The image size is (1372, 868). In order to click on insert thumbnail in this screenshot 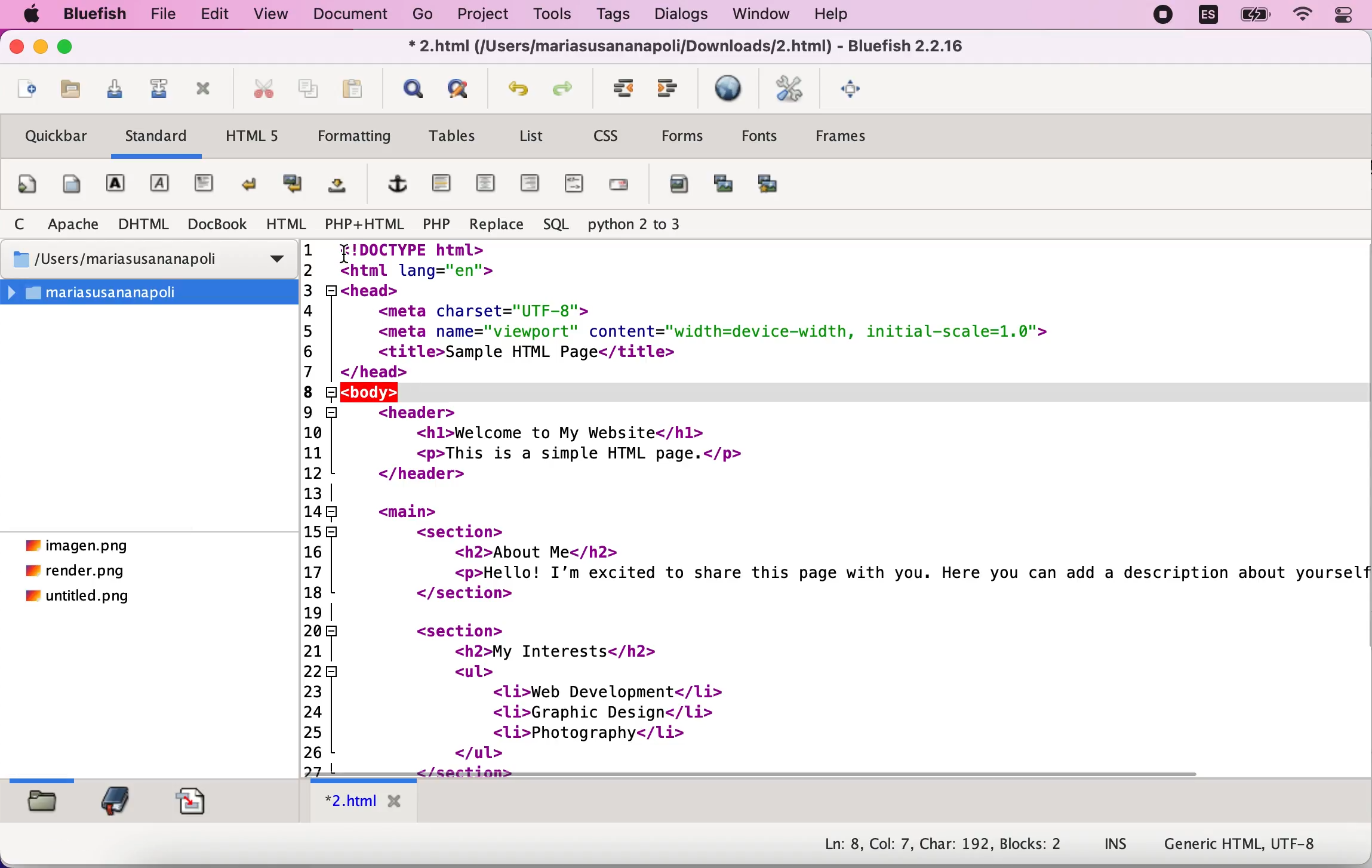, I will do `click(722, 189)`.